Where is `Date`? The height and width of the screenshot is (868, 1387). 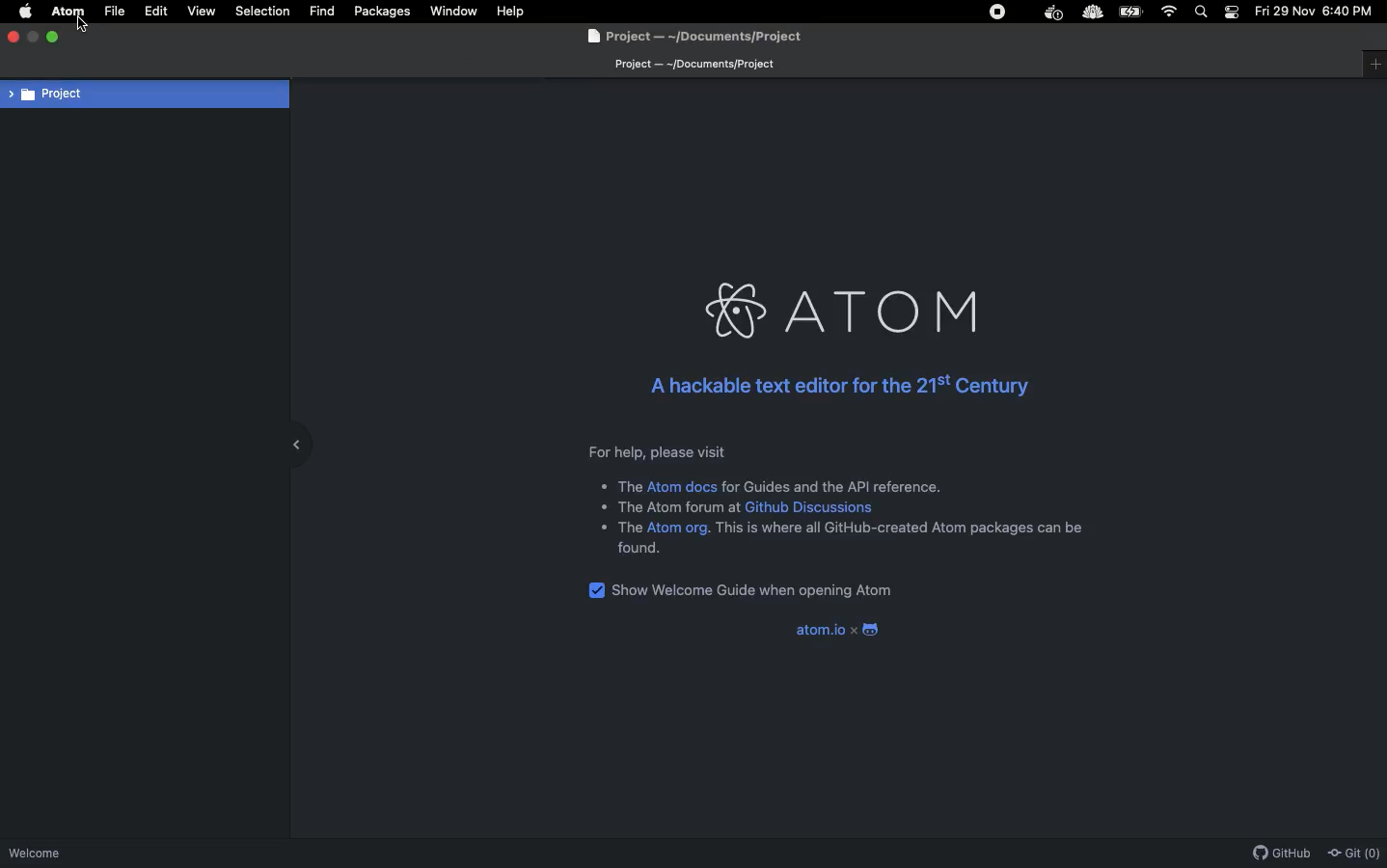
Date is located at coordinates (1285, 12).